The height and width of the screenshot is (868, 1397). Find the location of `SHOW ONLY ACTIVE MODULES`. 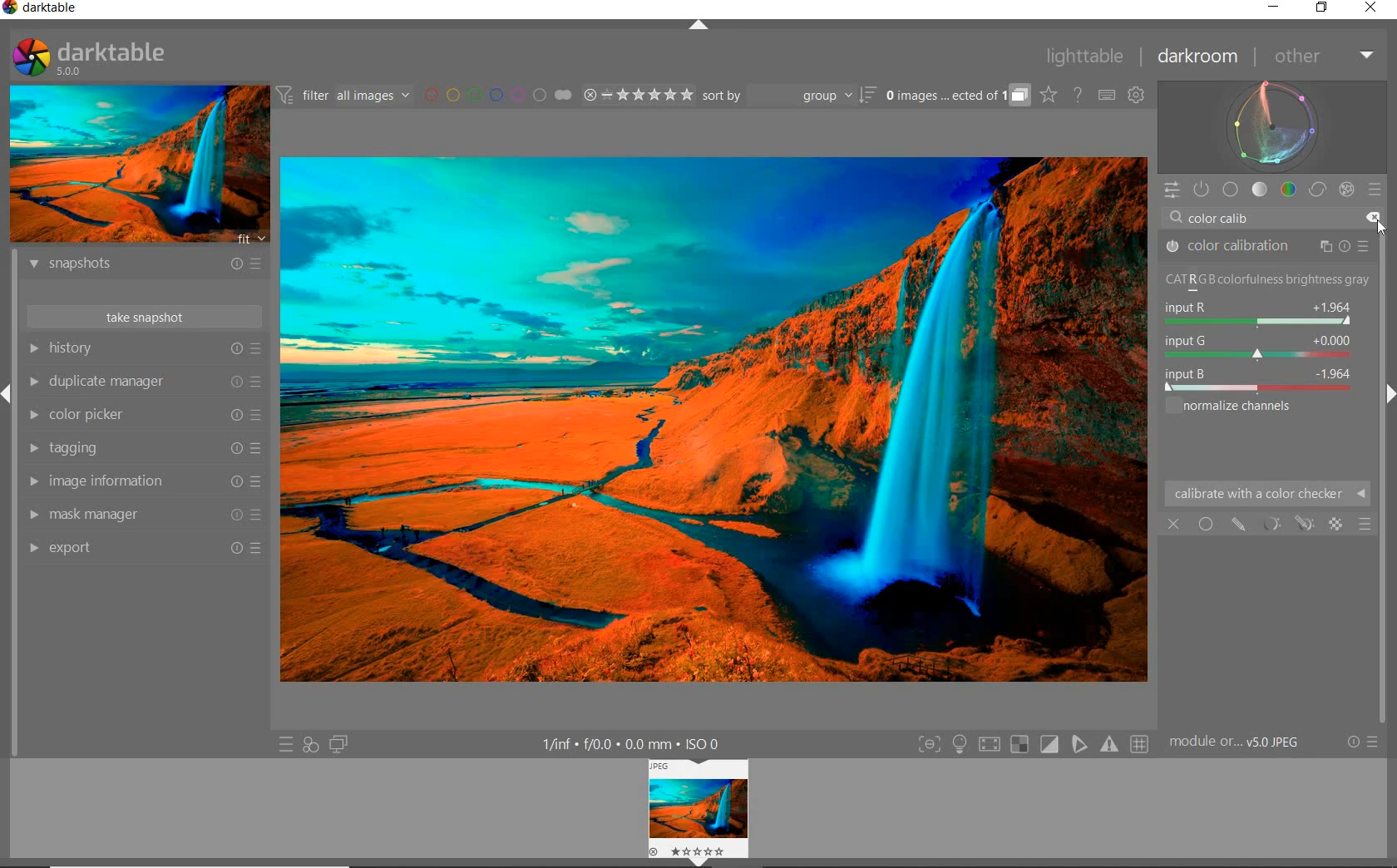

SHOW ONLY ACTIVE MODULES is located at coordinates (1202, 190).